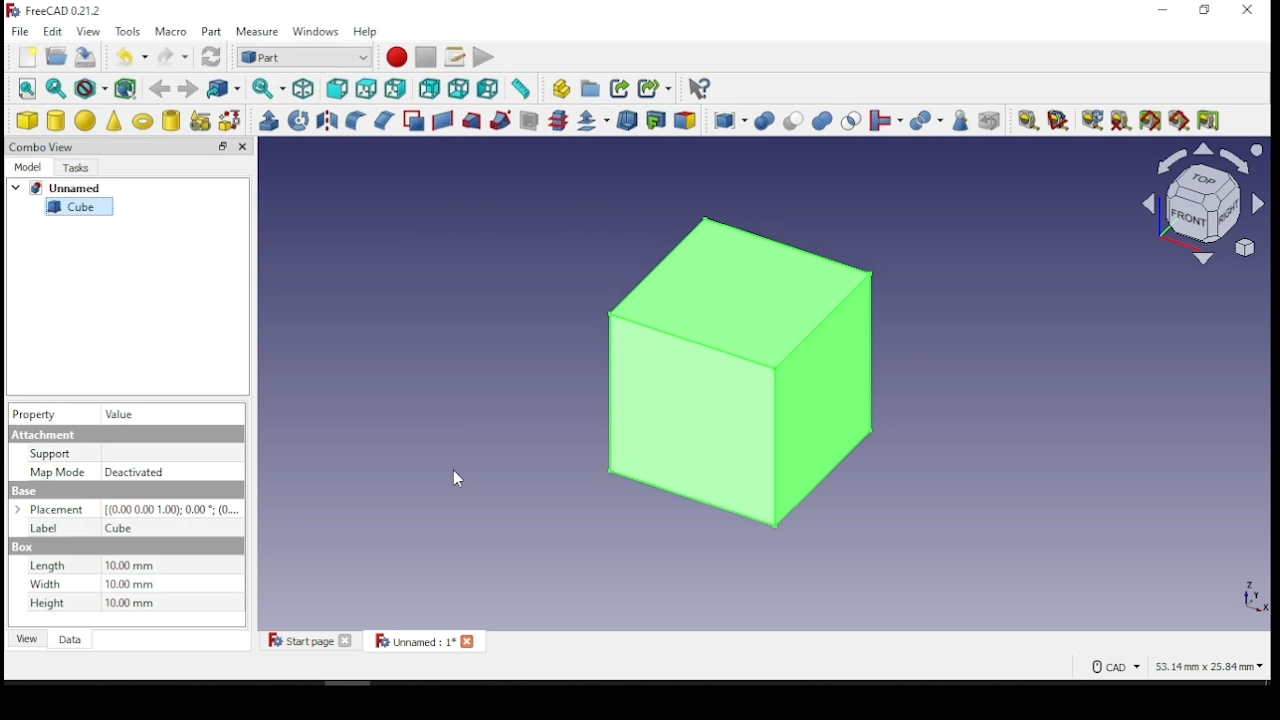 This screenshot has width=1280, height=720. I want to click on start page, so click(310, 640).